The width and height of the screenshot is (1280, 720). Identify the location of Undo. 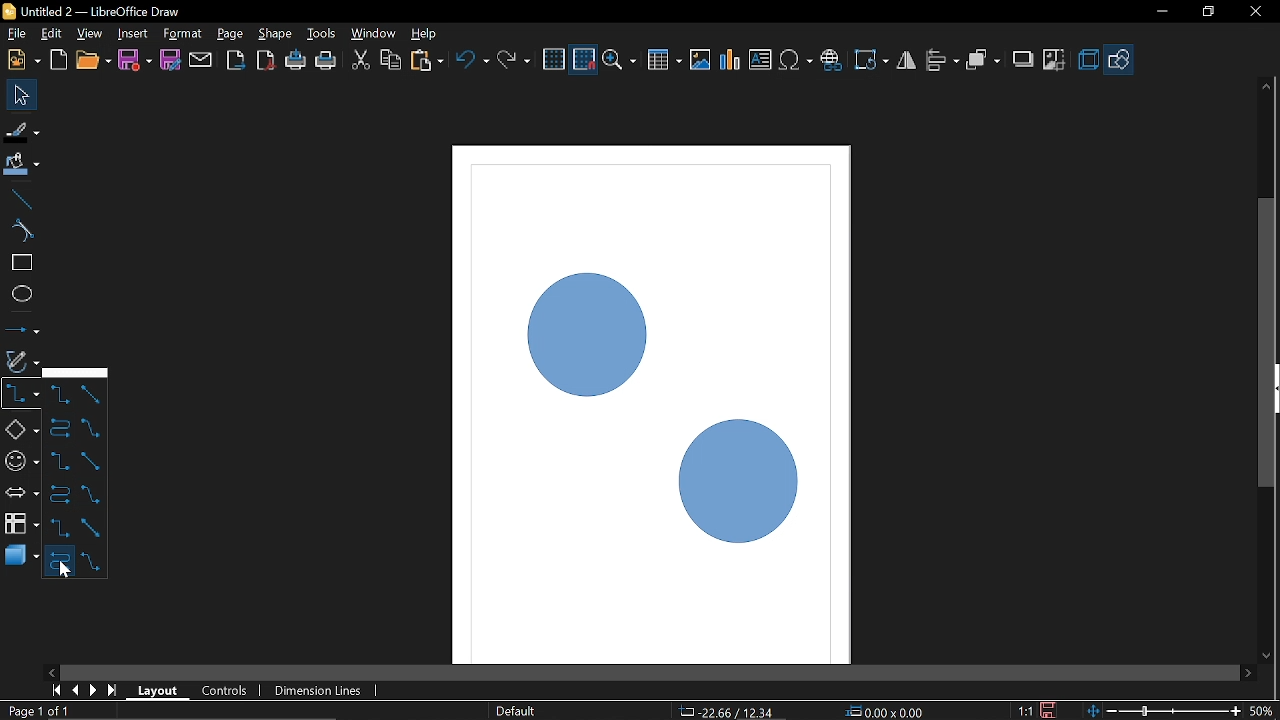
(472, 59).